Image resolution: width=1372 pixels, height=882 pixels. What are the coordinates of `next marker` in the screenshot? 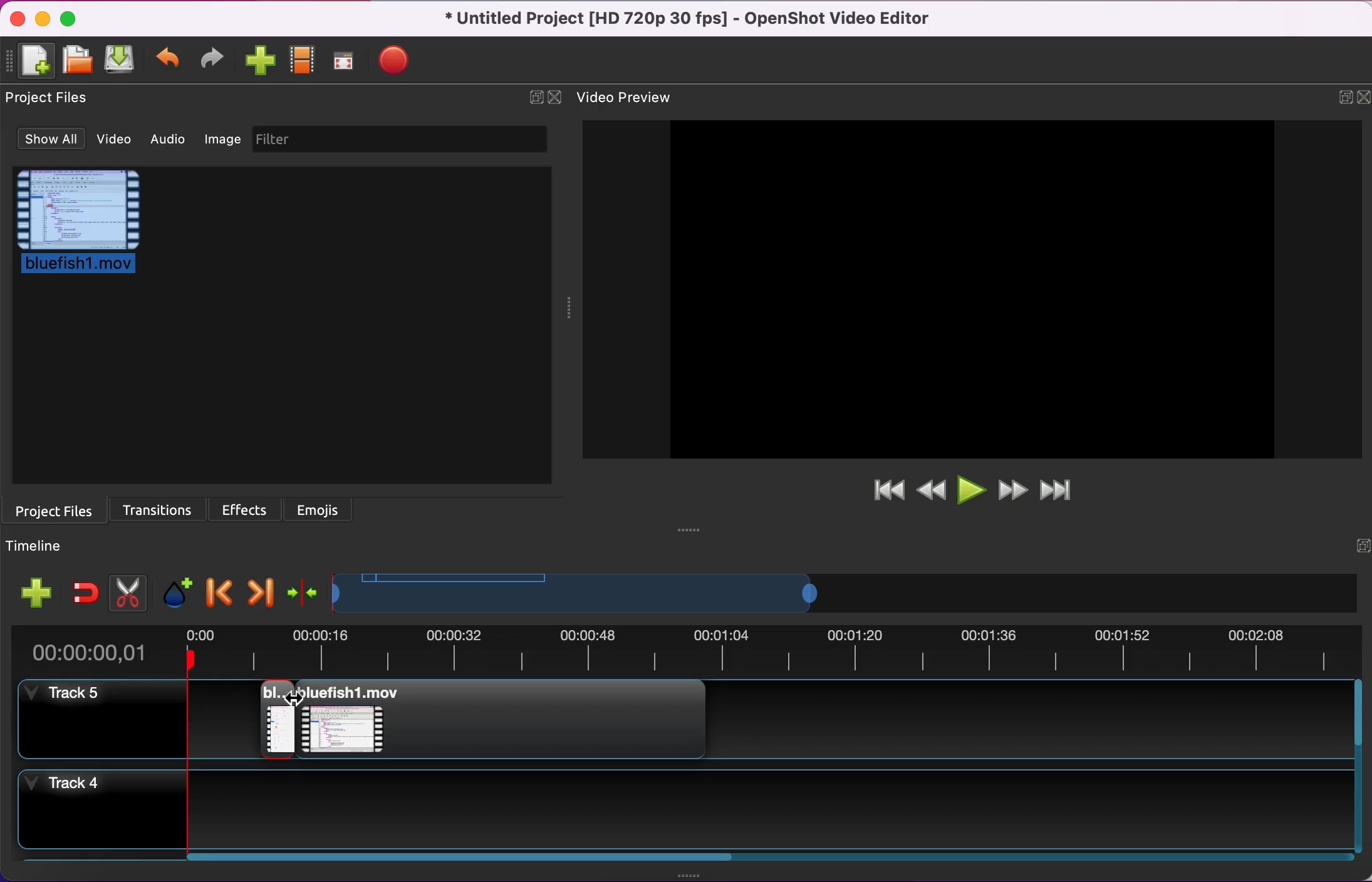 It's located at (257, 590).